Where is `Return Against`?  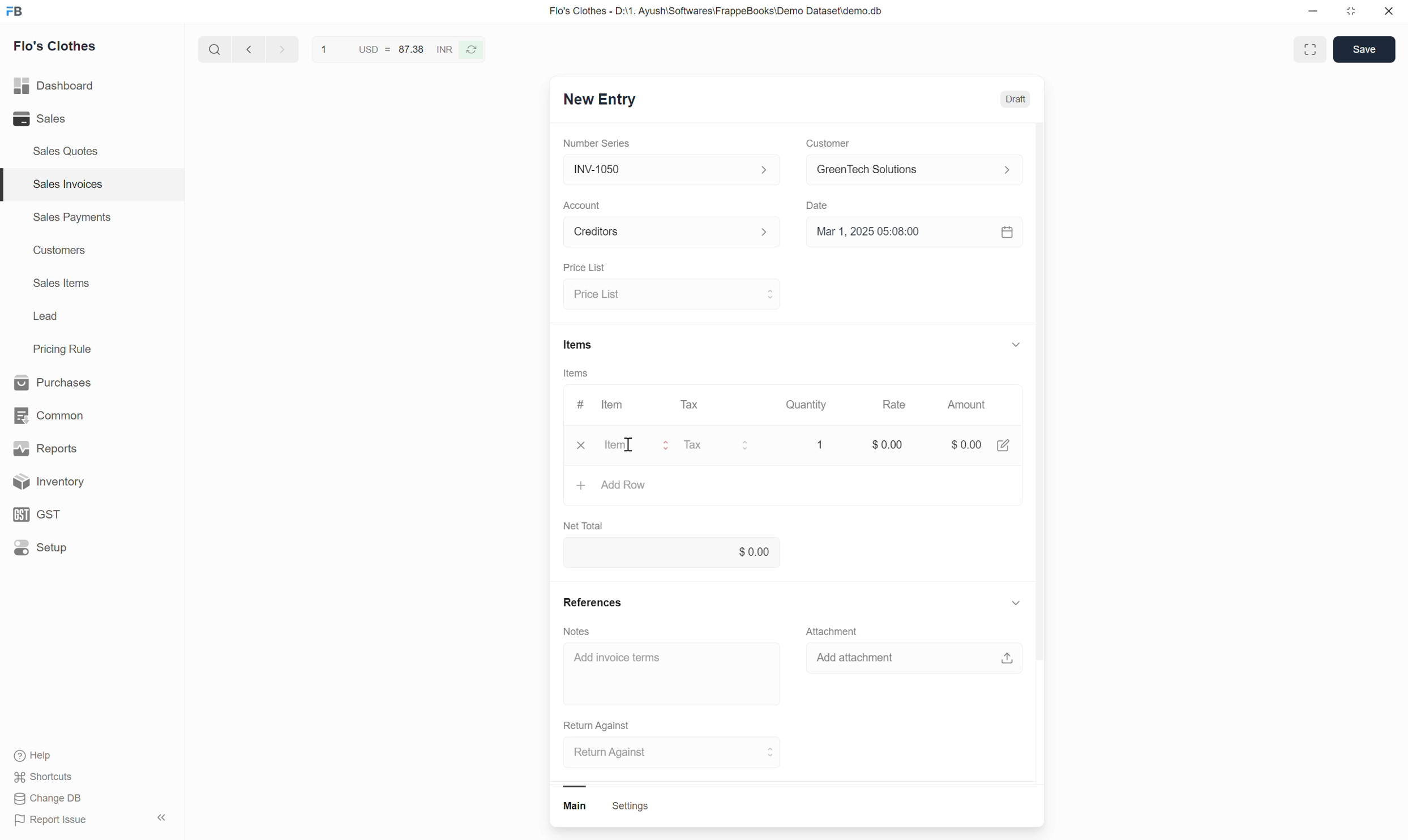 Return Against is located at coordinates (605, 725).